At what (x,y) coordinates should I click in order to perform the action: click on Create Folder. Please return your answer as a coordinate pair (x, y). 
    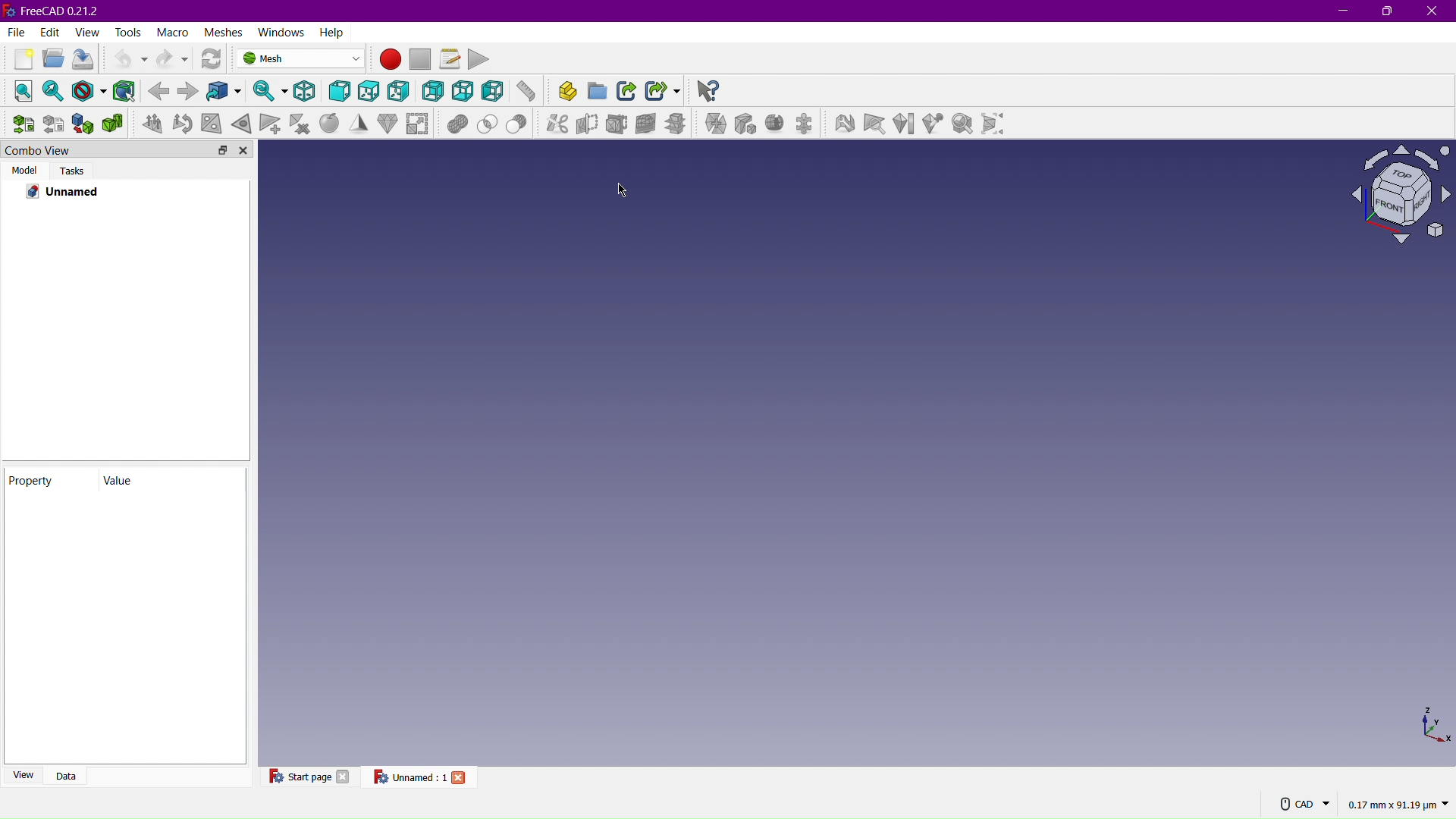
    Looking at the image, I should click on (598, 93).